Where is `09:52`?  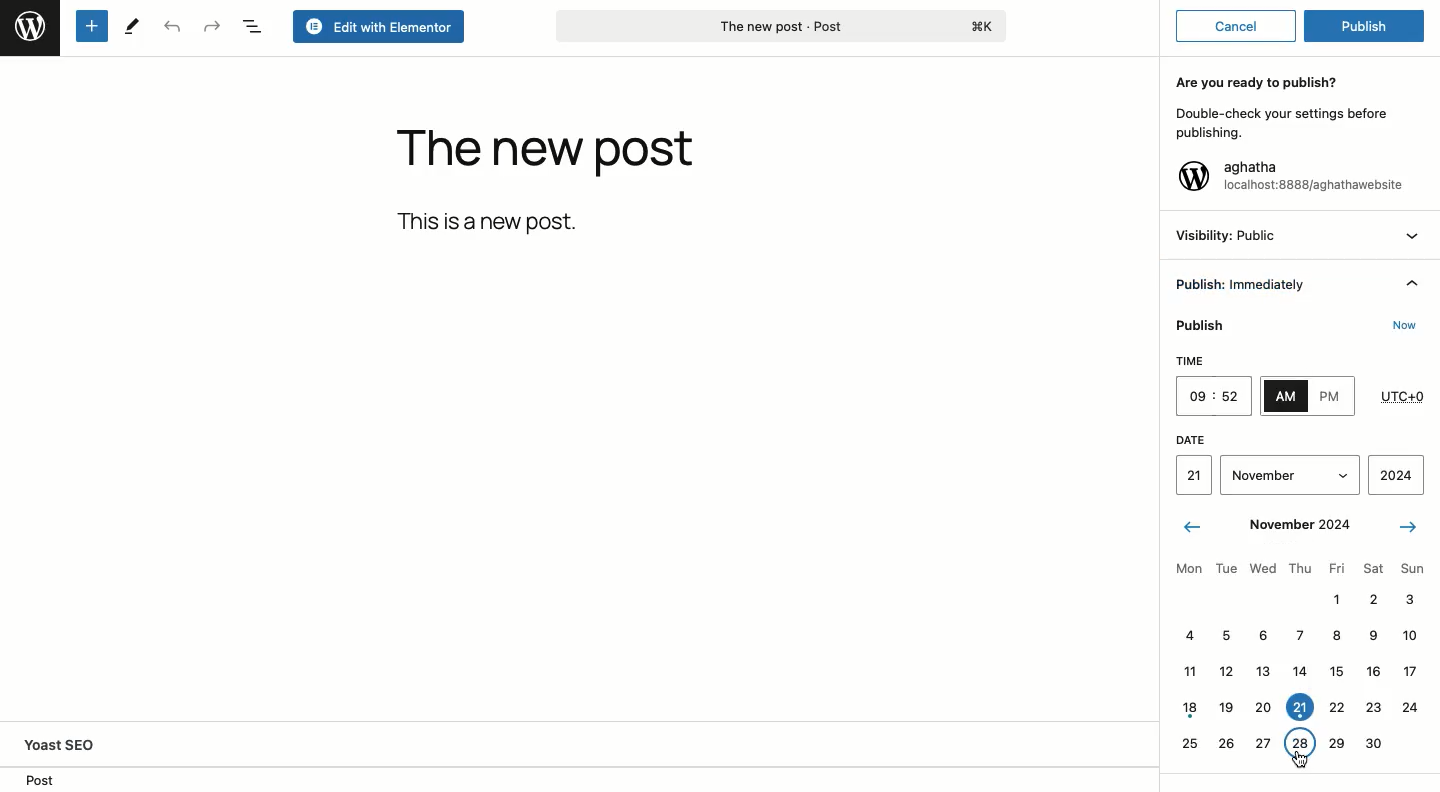 09:52 is located at coordinates (1217, 396).